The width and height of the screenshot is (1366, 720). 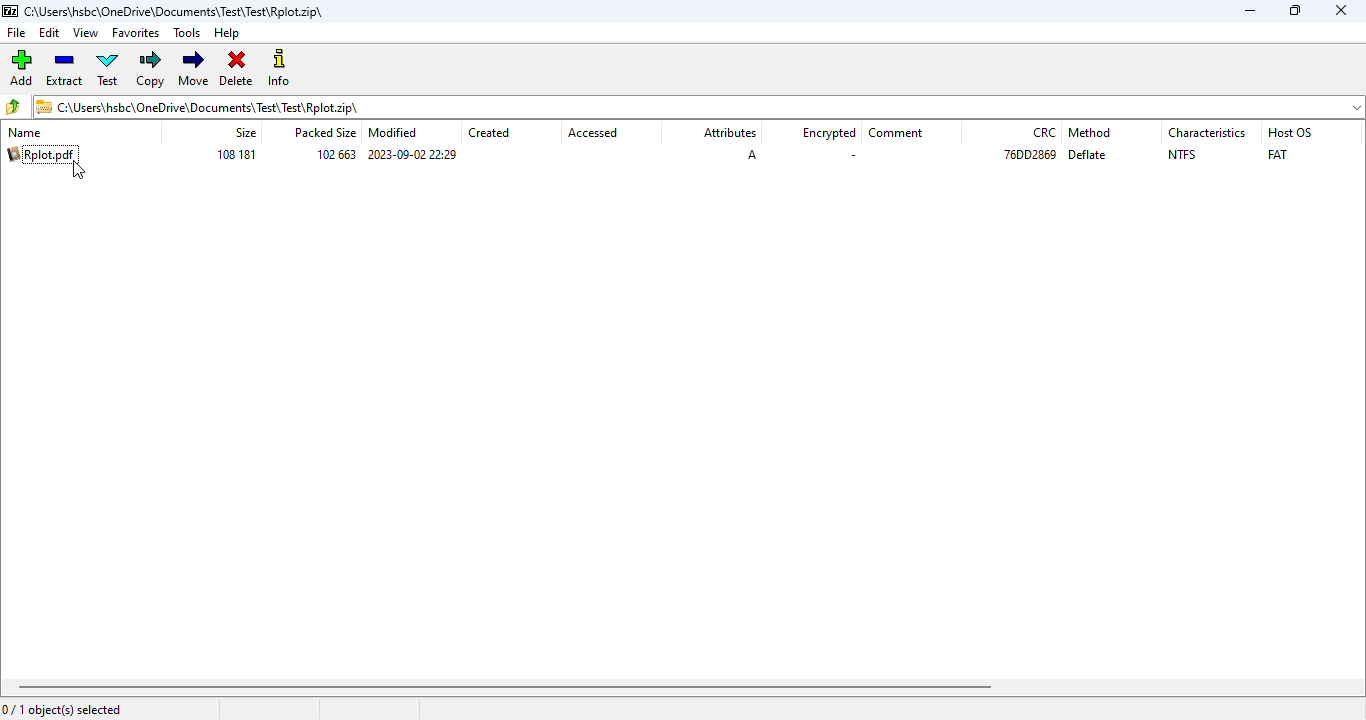 I want to click on created, so click(x=490, y=133).